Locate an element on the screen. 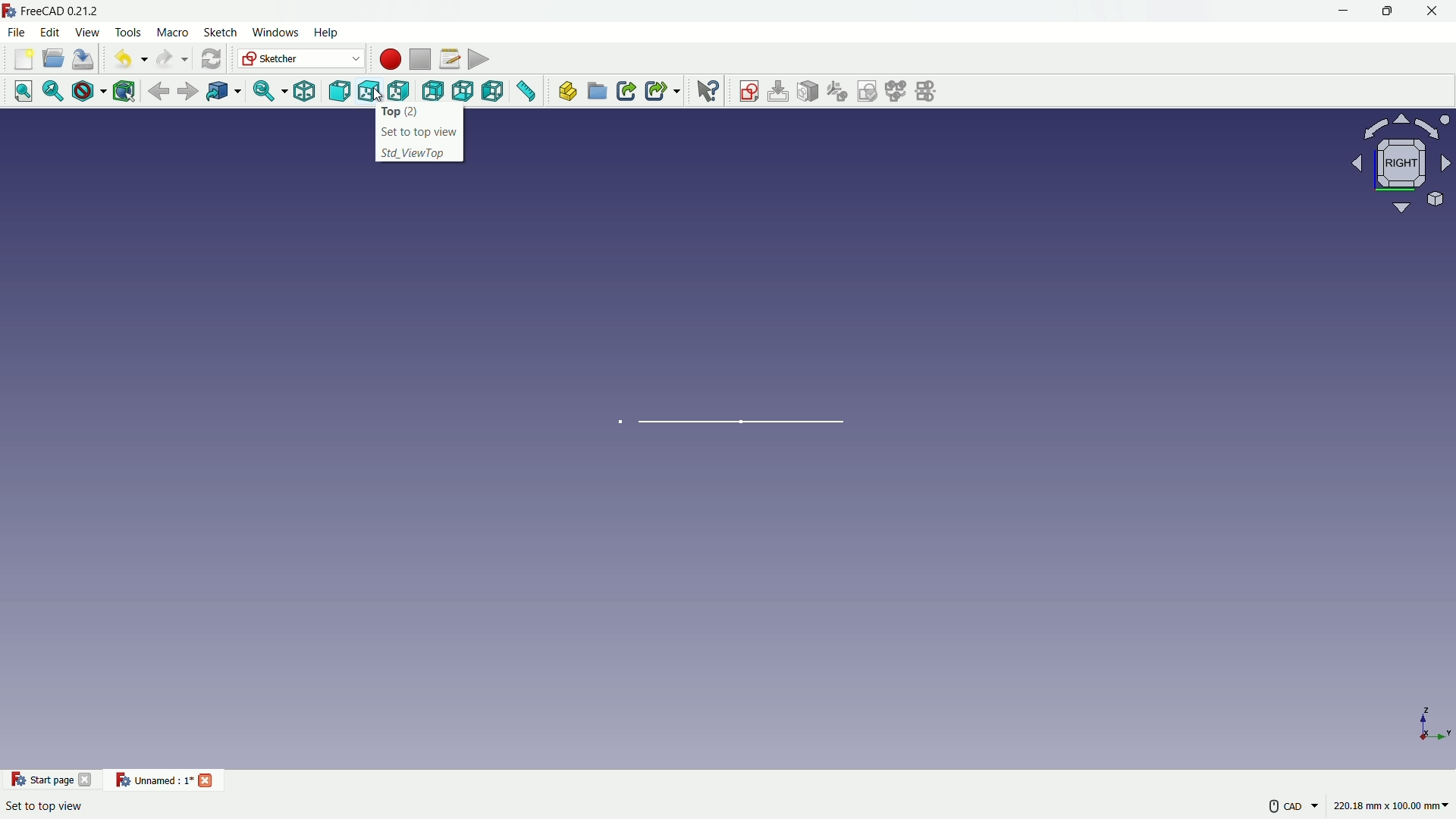 The width and height of the screenshot is (1456, 819). file name is located at coordinates (152, 781).